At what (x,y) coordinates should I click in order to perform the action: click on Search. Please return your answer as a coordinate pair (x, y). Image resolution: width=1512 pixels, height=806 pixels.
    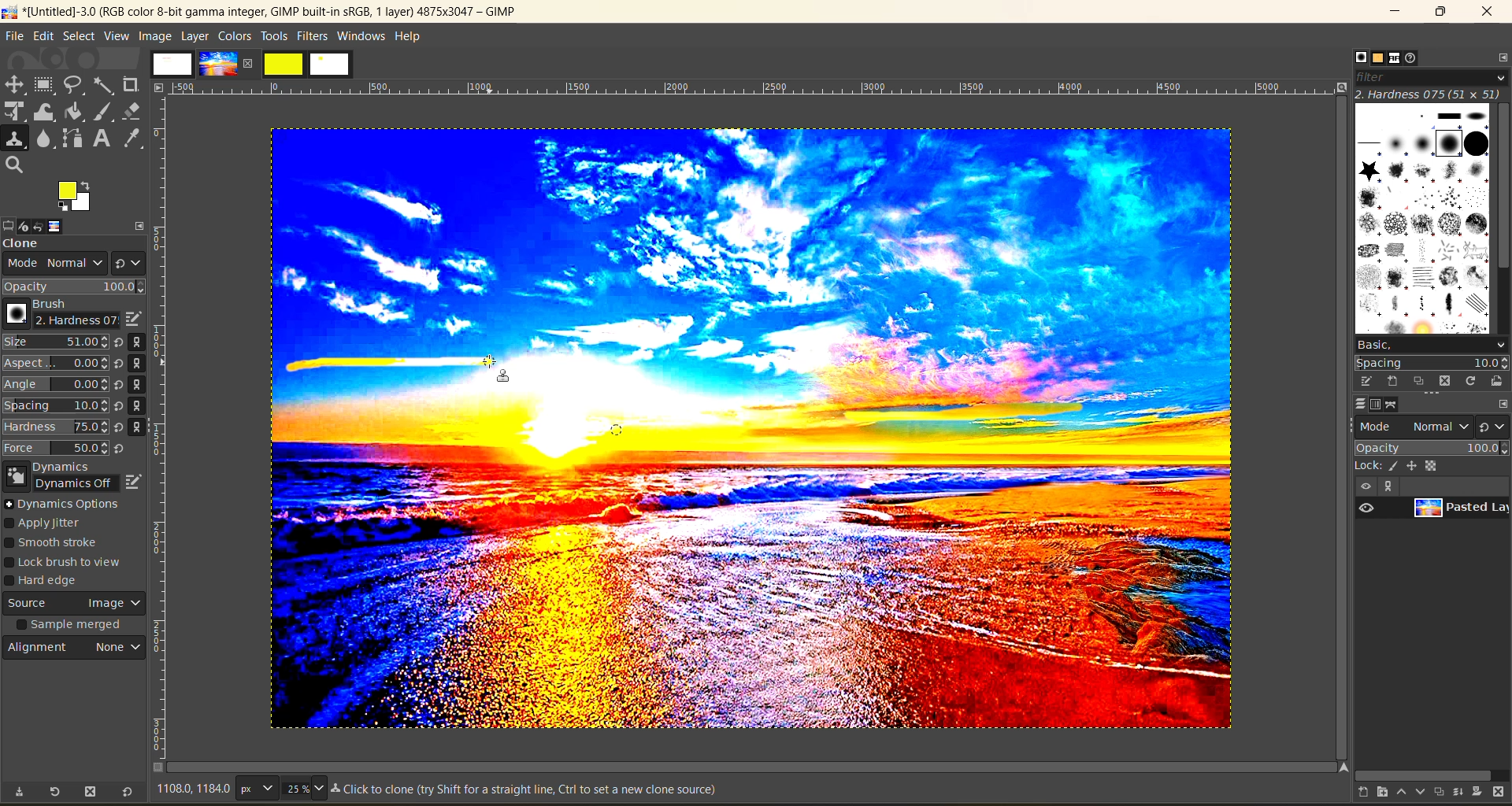
    Looking at the image, I should click on (15, 165).